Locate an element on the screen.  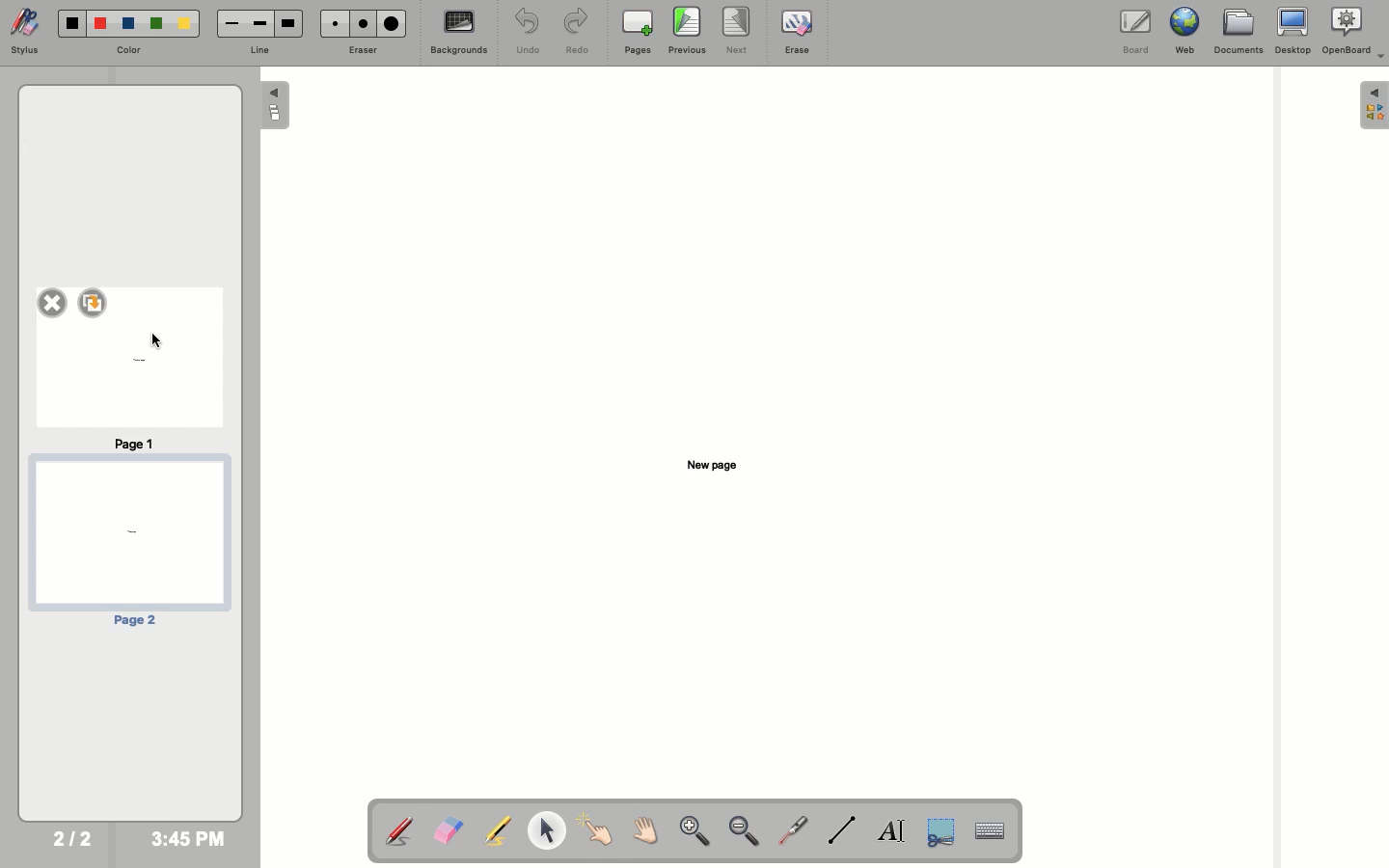
Backgrounds is located at coordinates (460, 32).